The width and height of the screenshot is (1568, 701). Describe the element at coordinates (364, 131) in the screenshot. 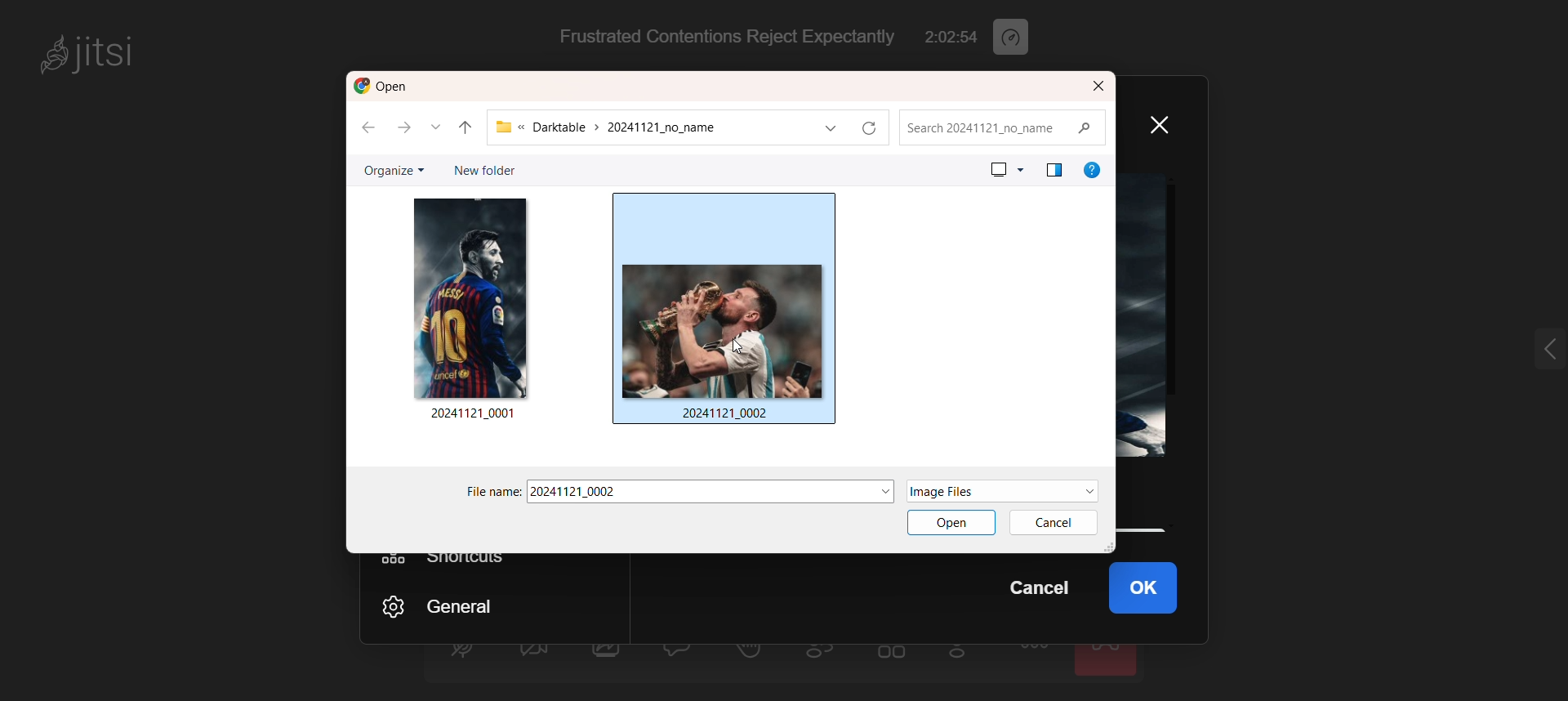

I see `backwards` at that location.